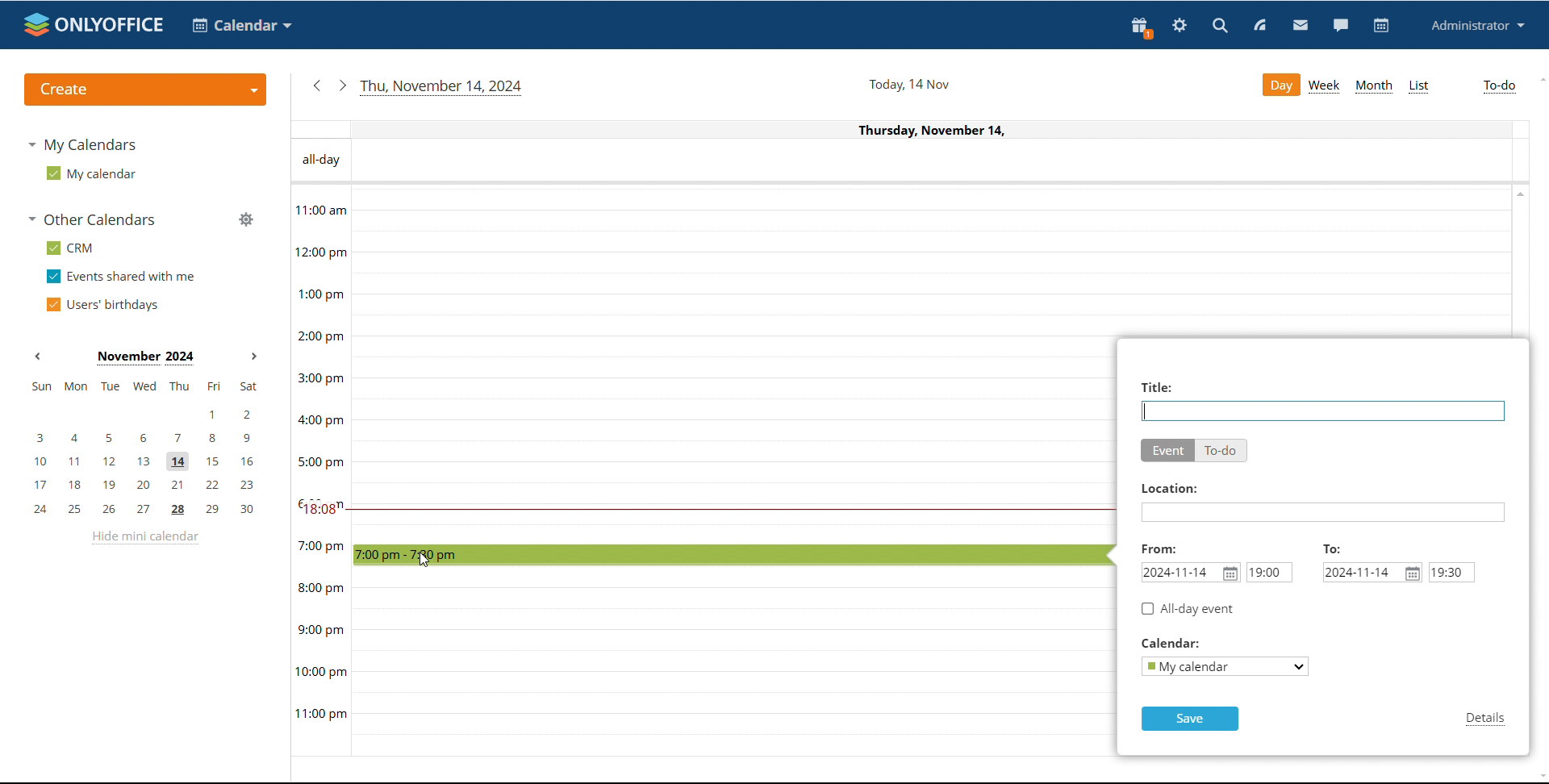  Describe the element at coordinates (1226, 666) in the screenshot. I see `select calendar` at that location.